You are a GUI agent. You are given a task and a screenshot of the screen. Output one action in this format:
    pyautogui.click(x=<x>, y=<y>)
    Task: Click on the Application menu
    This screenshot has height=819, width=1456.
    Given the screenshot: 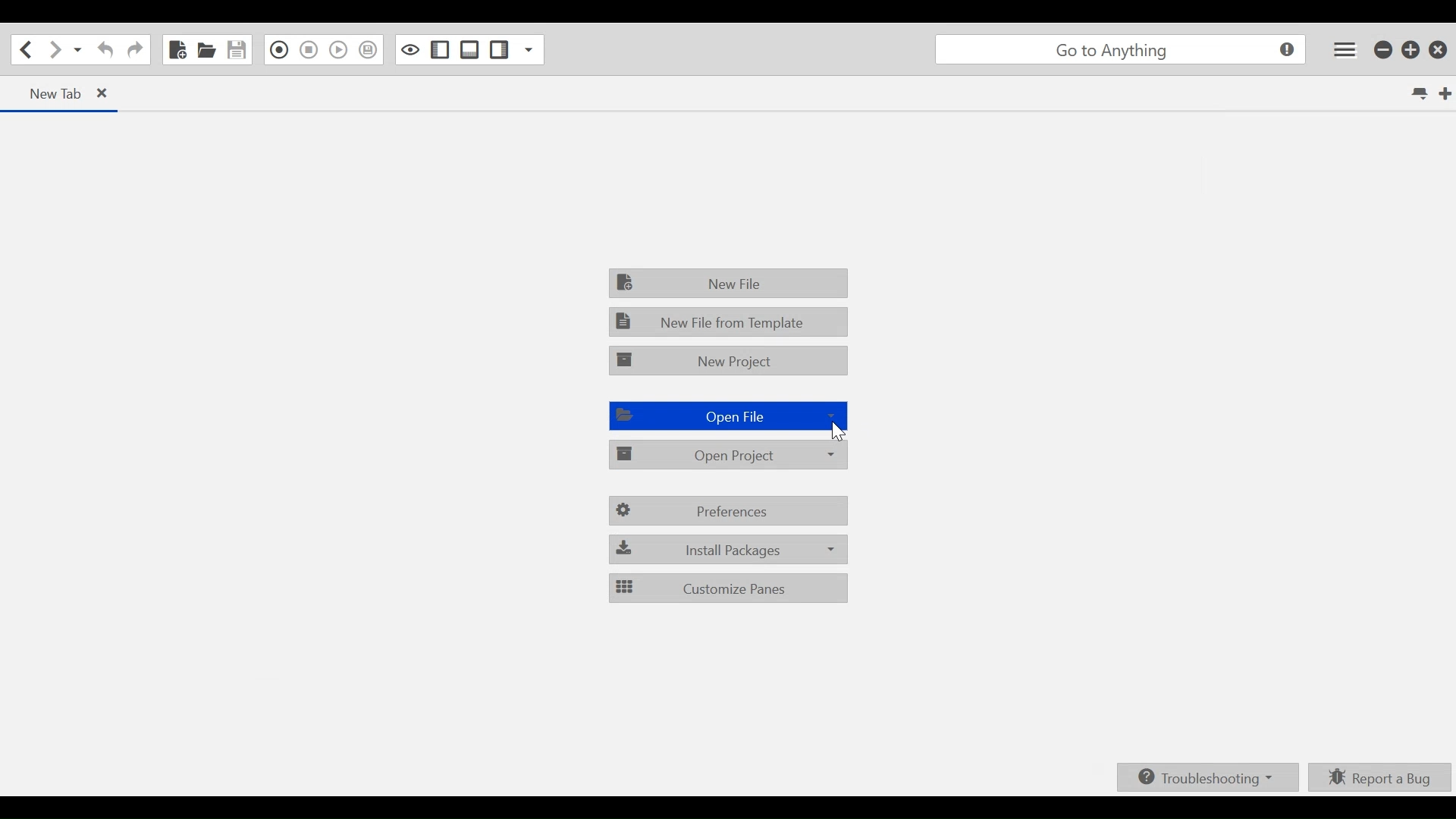 What is the action you would take?
    pyautogui.click(x=1346, y=49)
    